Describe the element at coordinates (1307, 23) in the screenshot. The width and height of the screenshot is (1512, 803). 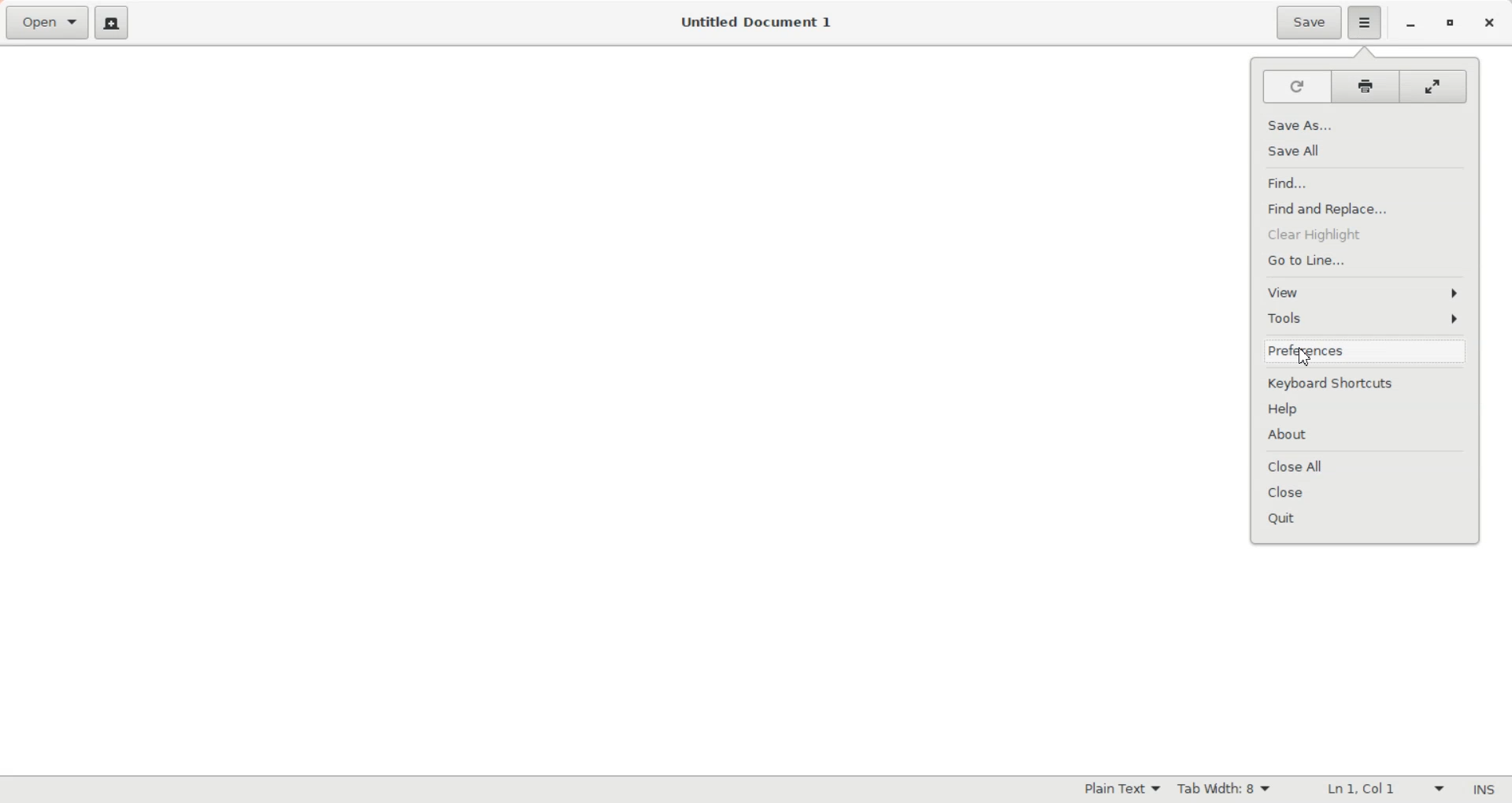
I see `Save` at that location.